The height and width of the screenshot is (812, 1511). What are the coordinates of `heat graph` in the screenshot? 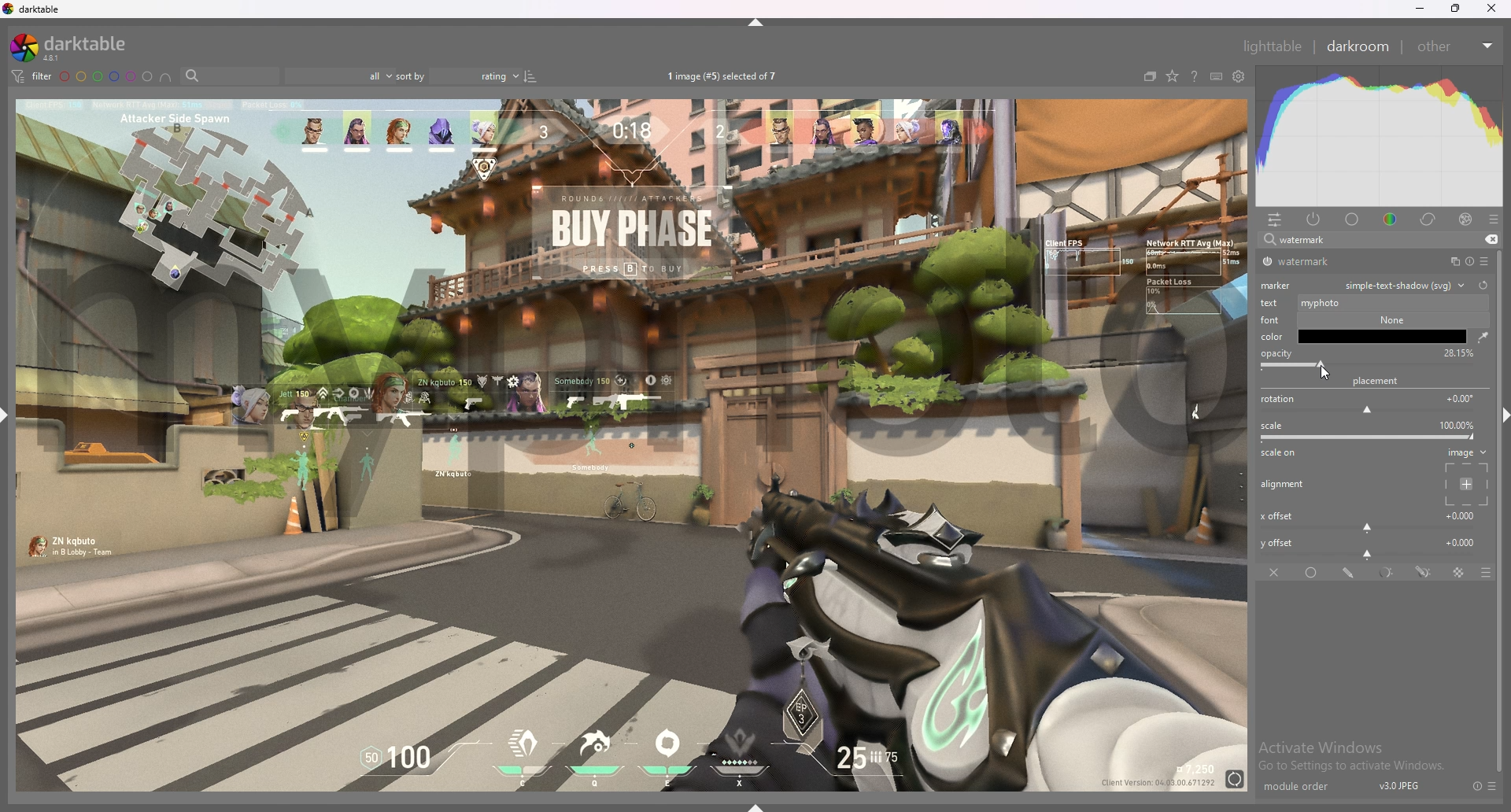 It's located at (1380, 136).